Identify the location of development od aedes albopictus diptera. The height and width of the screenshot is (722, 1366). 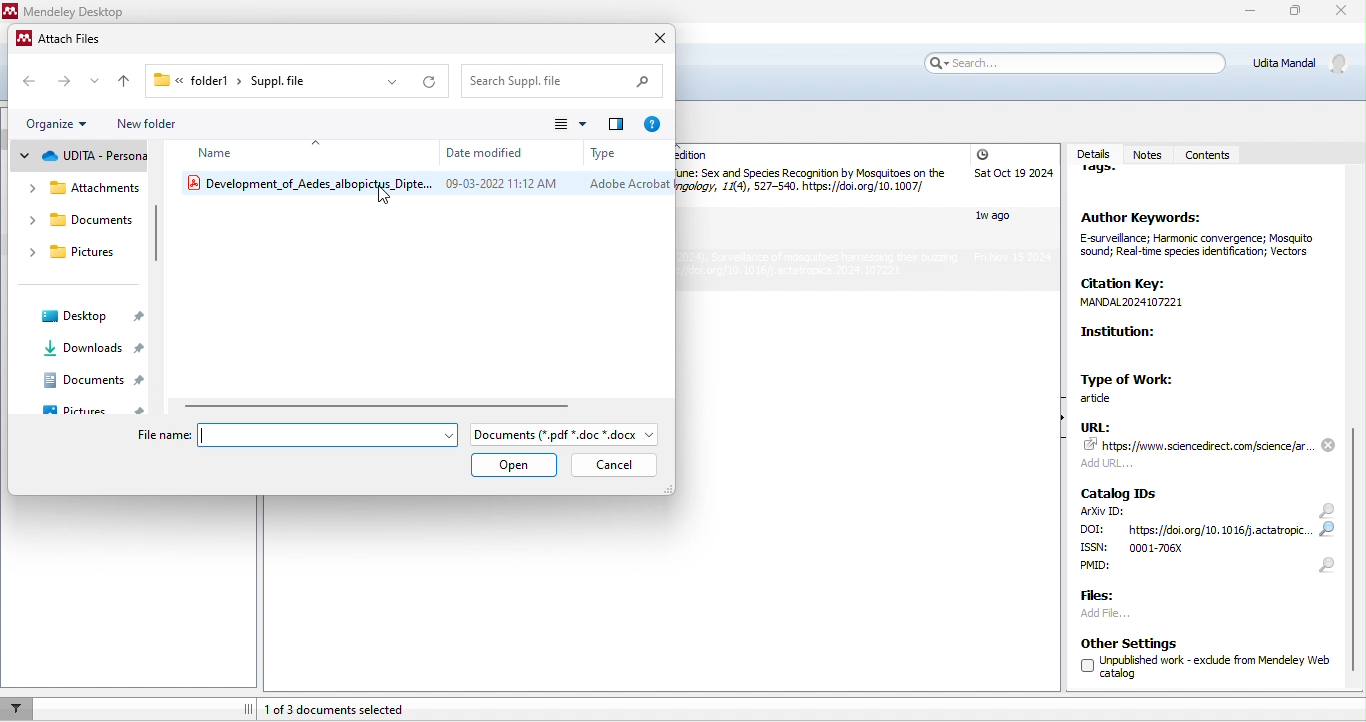
(424, 184).